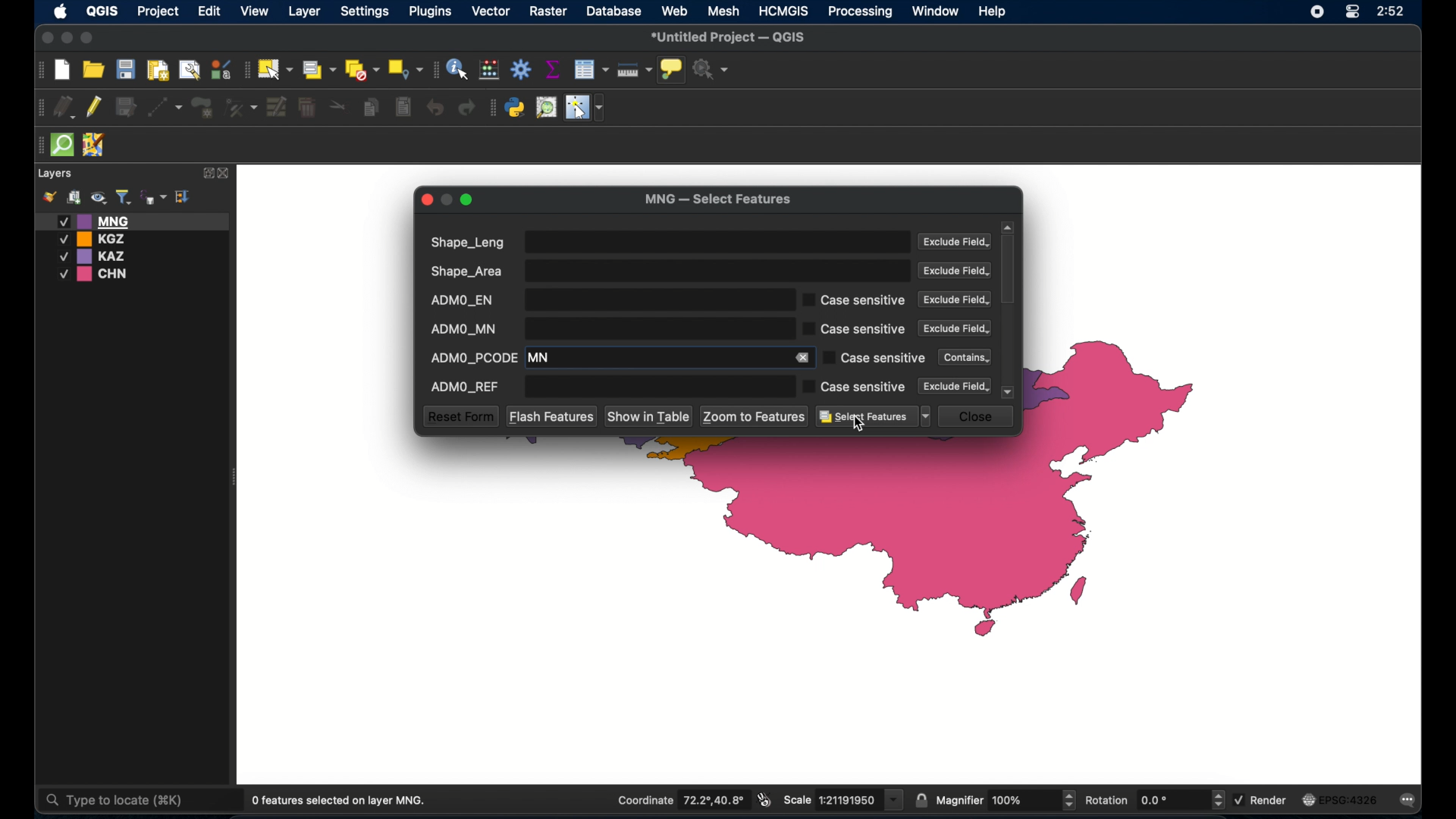 This screenshot has height=819, width=1456. Describe the element at coordinates (342, 801) in the screenshot. I see `0 features selected on layer MNG.` at that location.